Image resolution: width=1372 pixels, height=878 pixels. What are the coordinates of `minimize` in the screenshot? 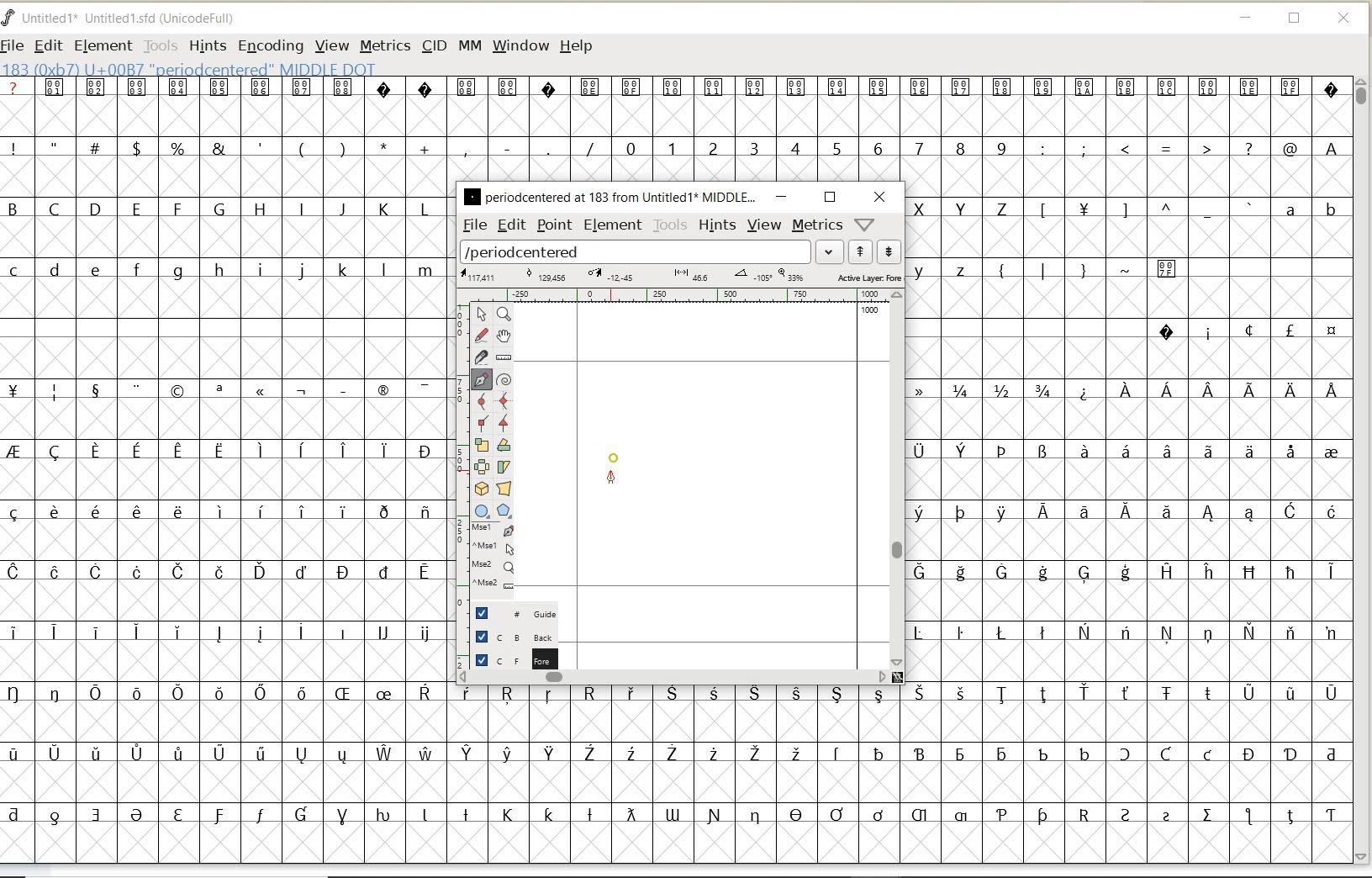 It's located at (781, 197).